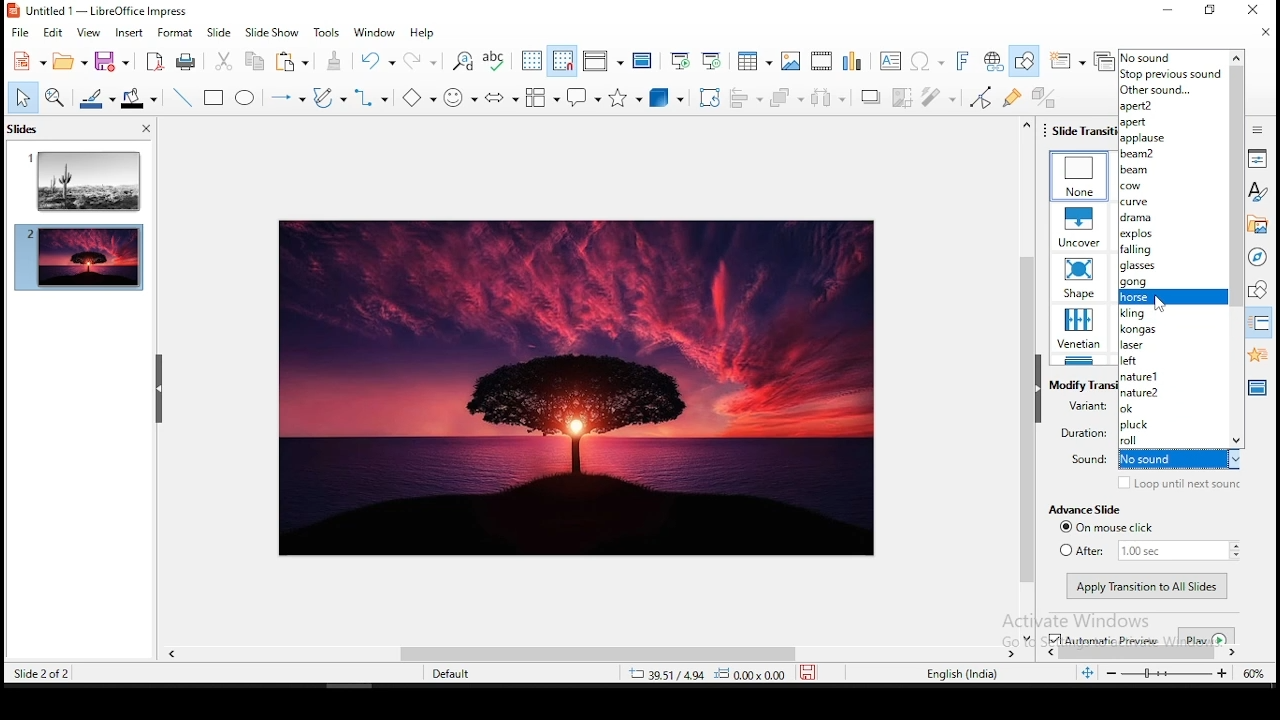 Image resolution: width=1280 pixels, height=720 pixels. What do you see at coordinates (754, 59) in the screenshot?
I see `tables` at bounding box center [754, 59].